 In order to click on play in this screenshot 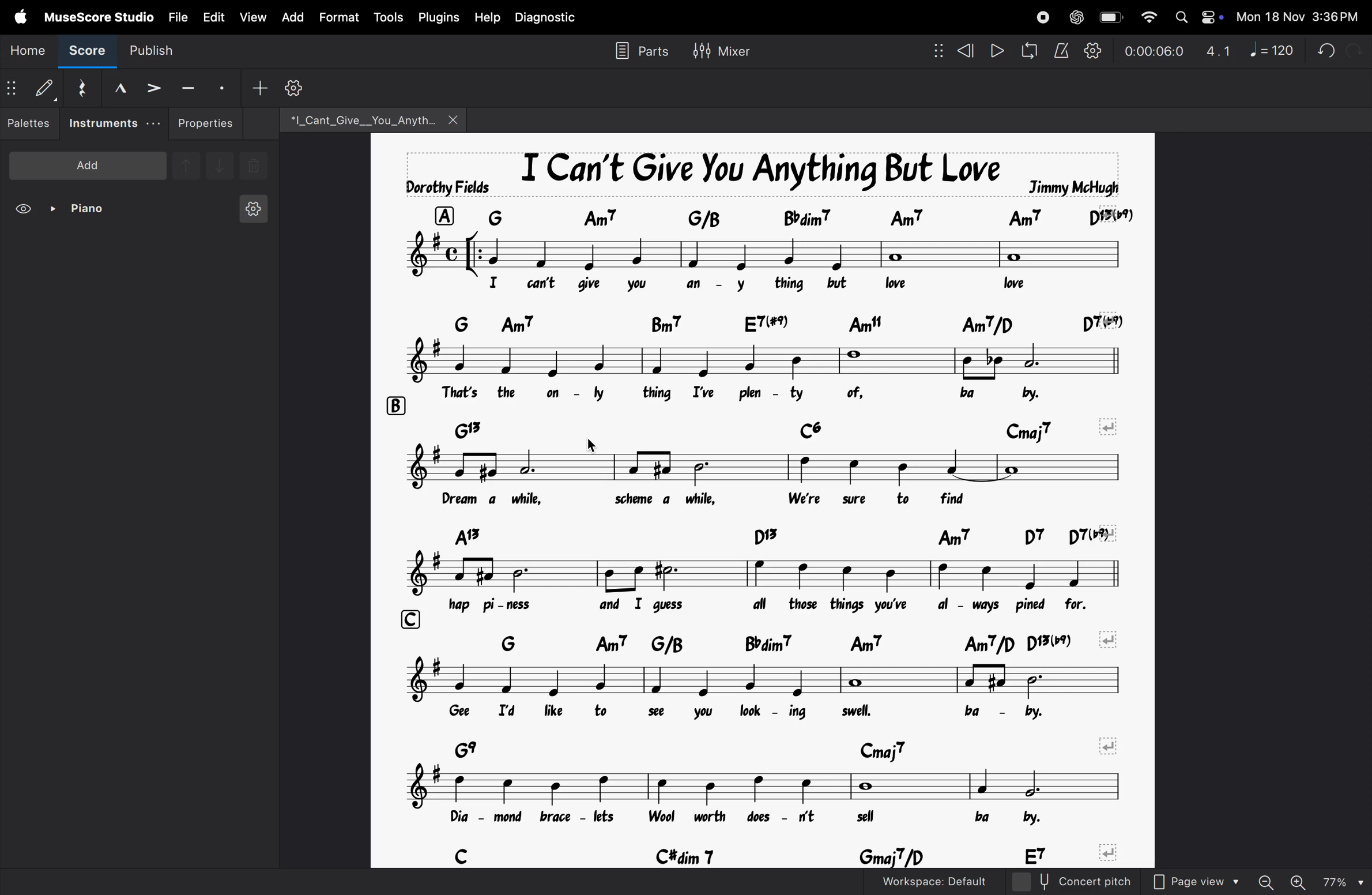, I will do `click(997, 51)`.